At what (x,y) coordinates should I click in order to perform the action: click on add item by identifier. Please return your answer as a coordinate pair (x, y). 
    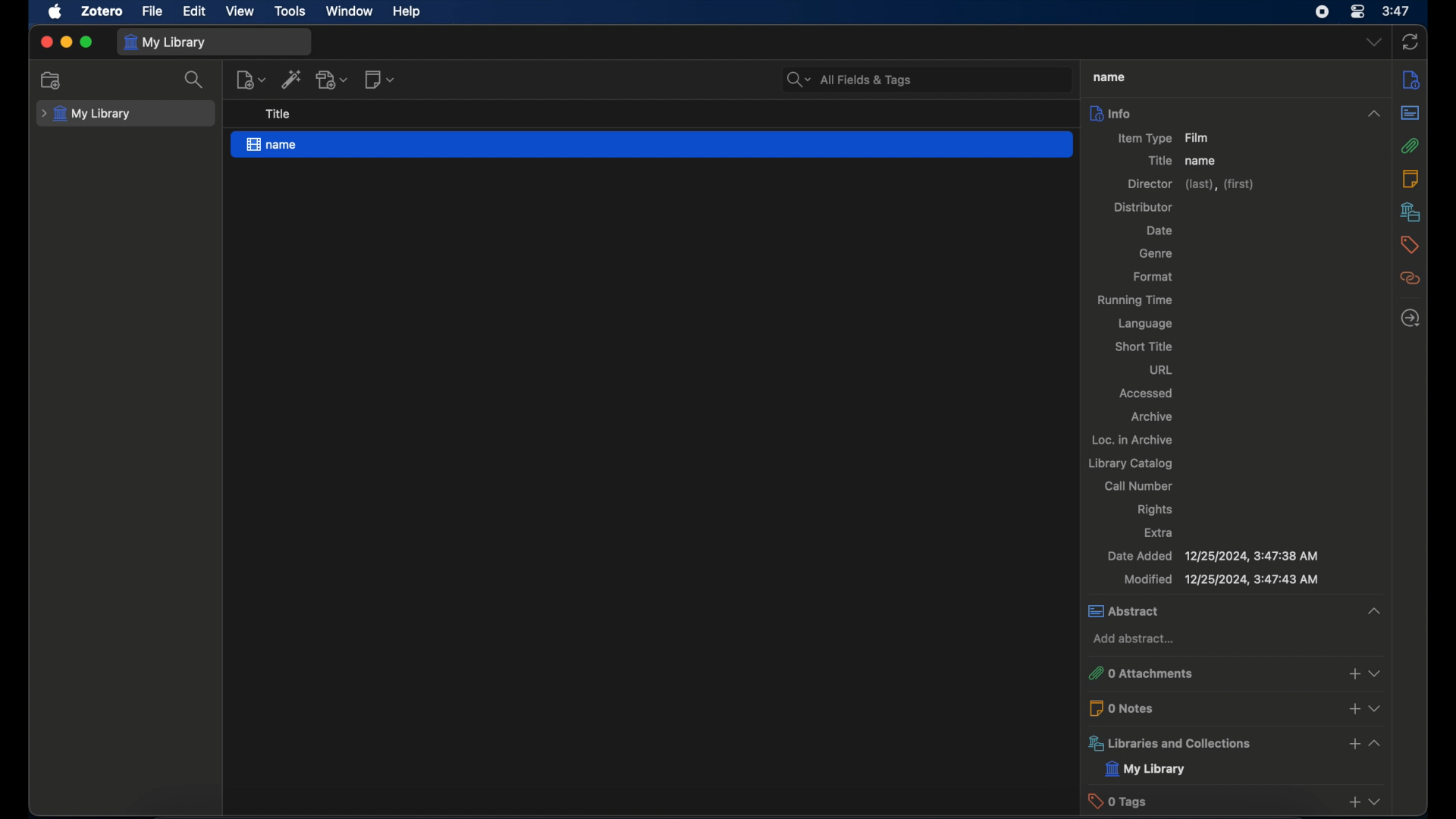
    Looking at the image, I should click on (291, 80).